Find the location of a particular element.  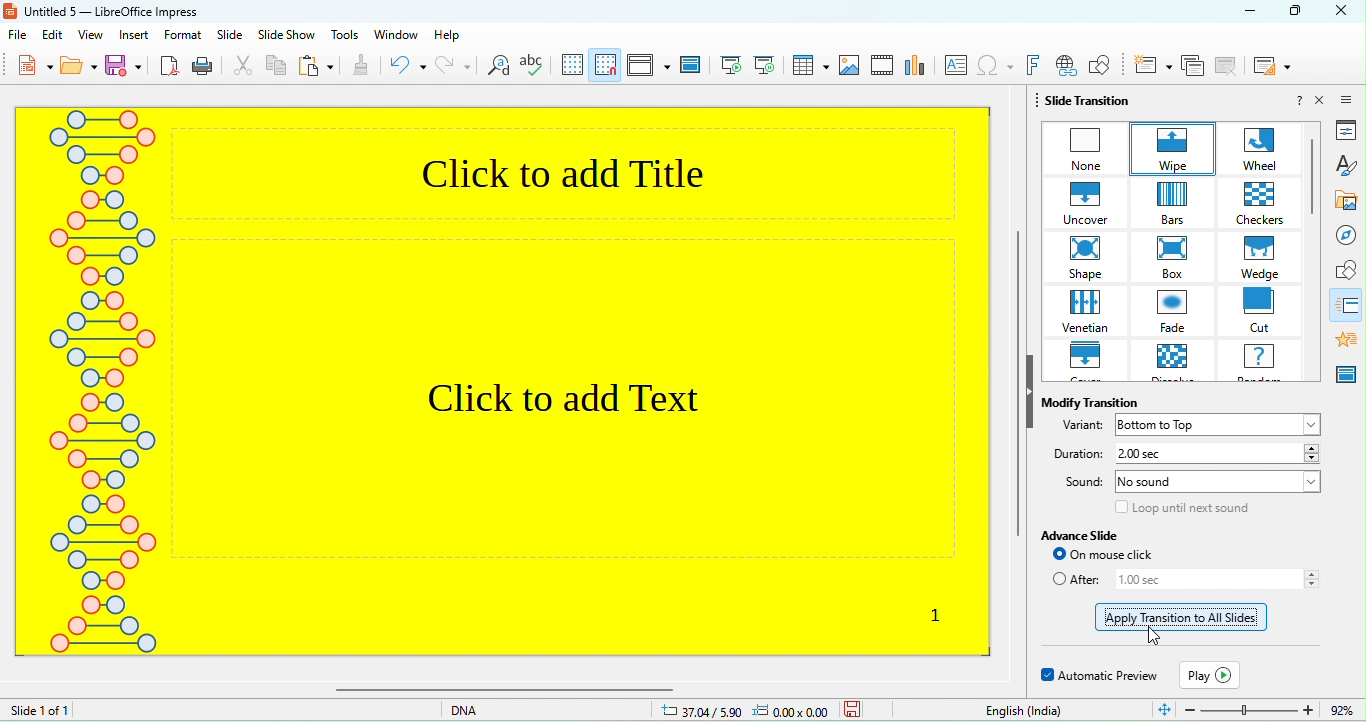

display grid is located at coordinates (569, 67).